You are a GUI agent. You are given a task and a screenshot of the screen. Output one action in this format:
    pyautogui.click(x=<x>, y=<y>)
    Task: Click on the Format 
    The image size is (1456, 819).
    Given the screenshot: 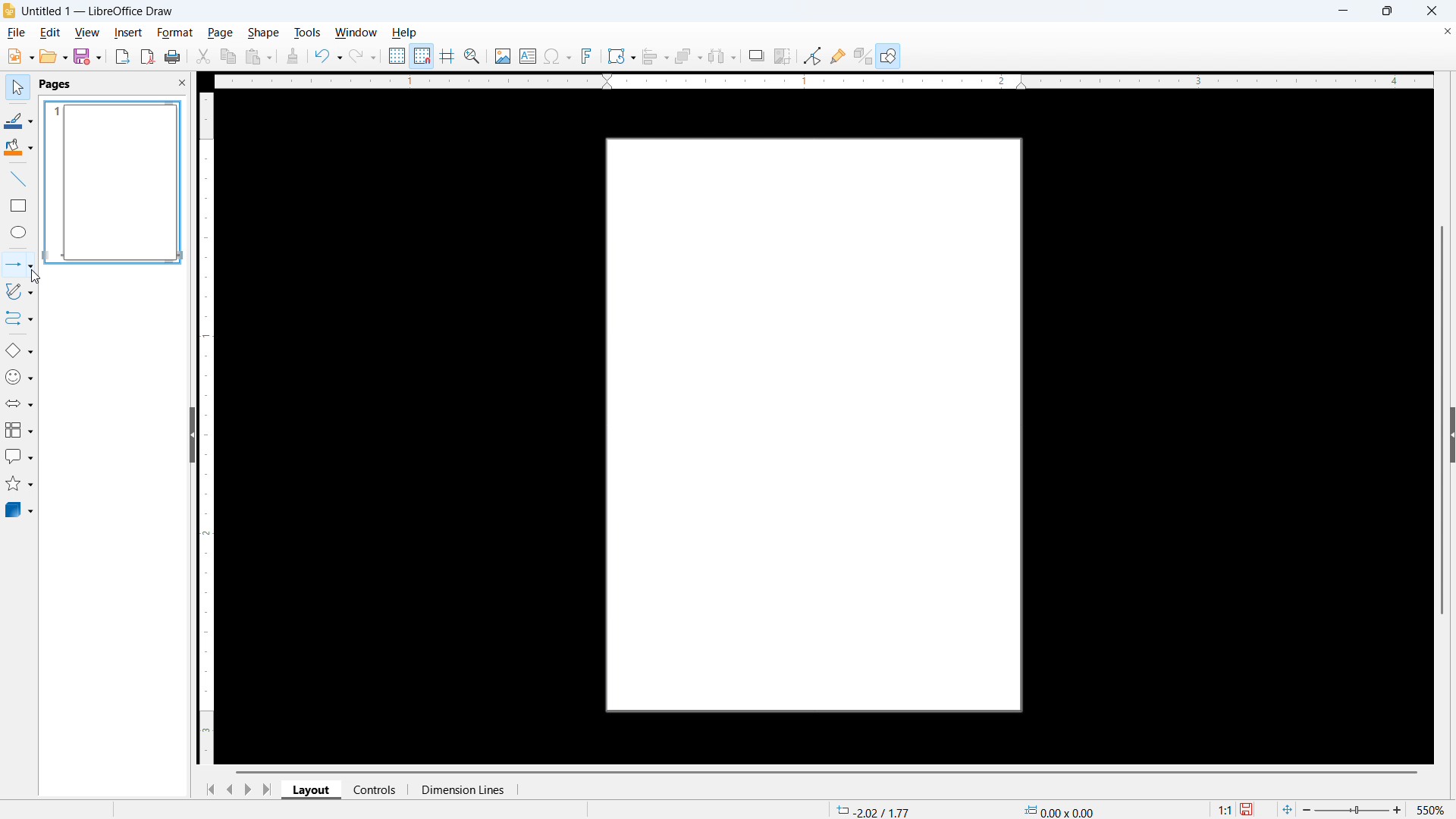 What is the action you would take?
    pyautogui.click(x=174, y=32)
    